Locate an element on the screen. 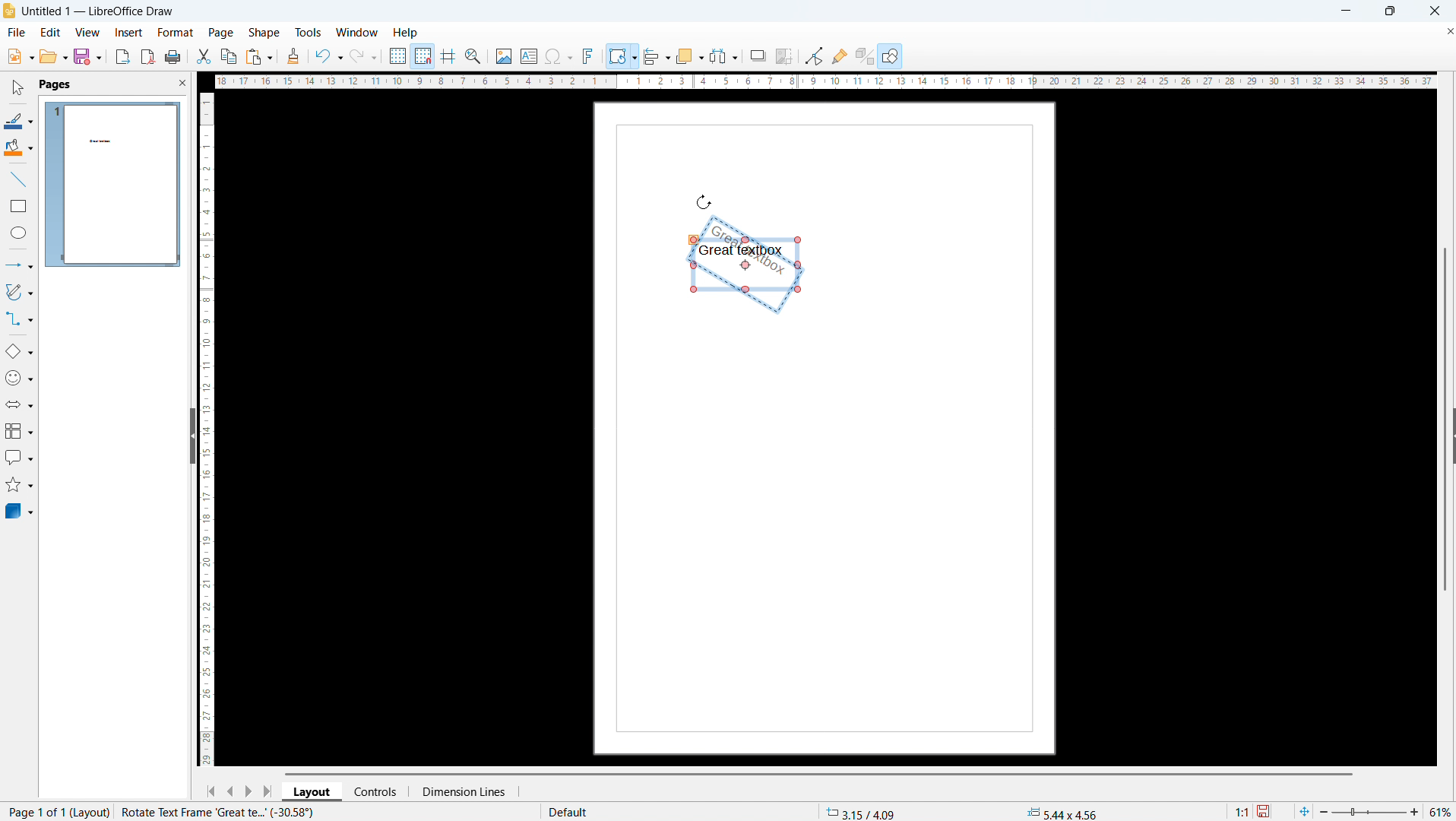 The height and width of the screenshot is (821, 1456). guidelines while moving is located at coordinates (449, 56).